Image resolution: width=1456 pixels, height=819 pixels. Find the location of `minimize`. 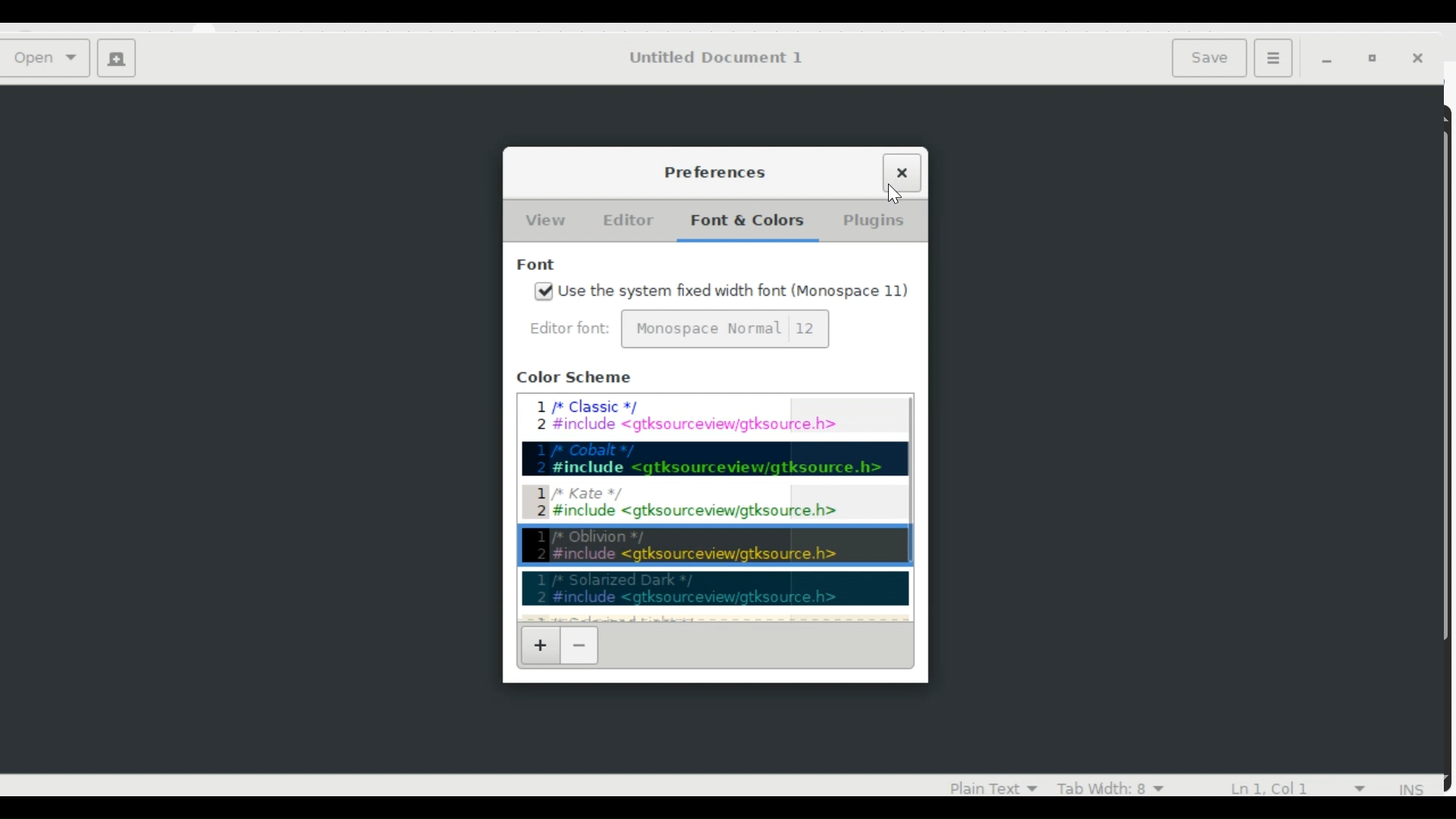

minimize is located at coordinates (1330, 60).